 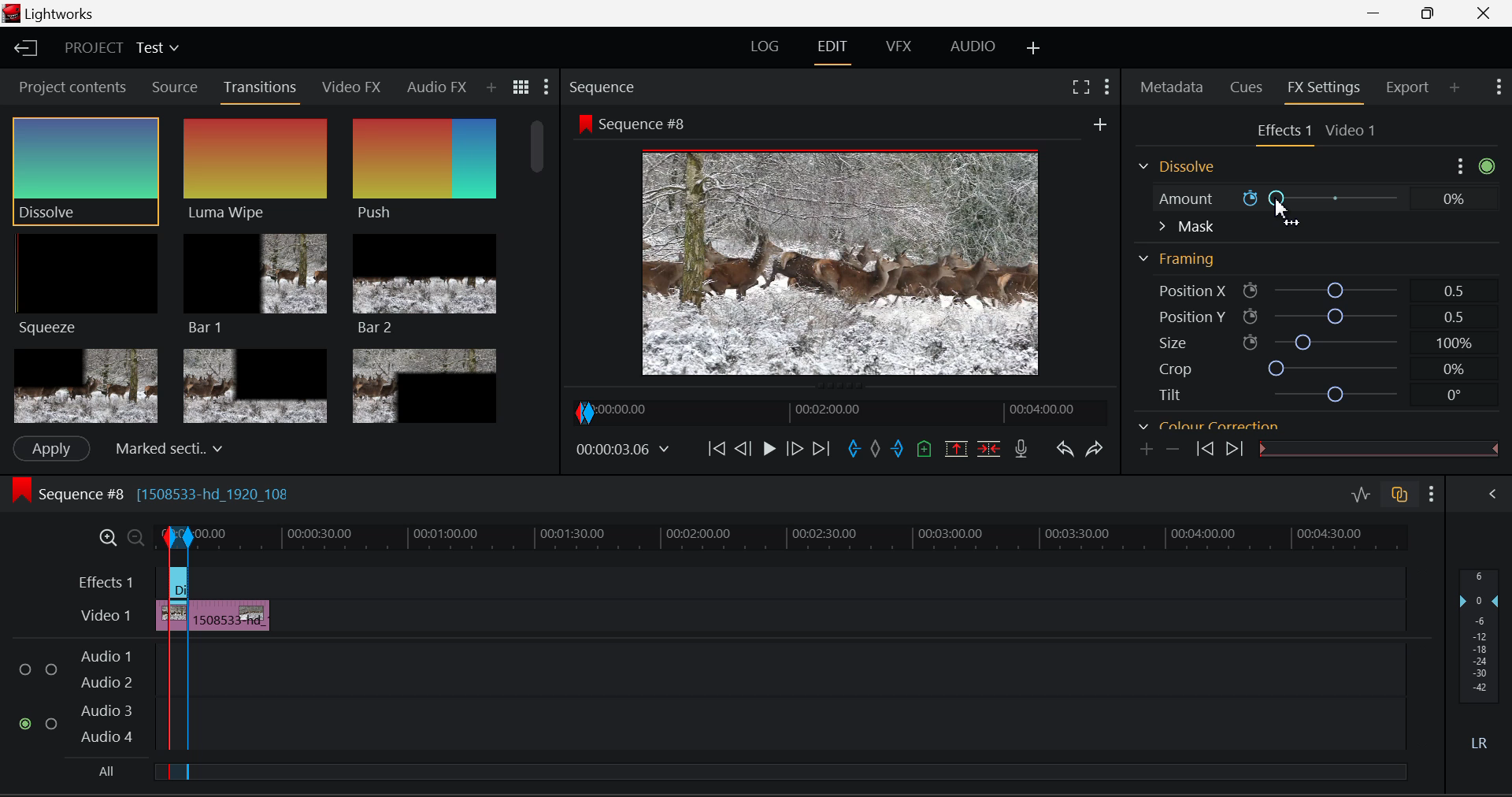 I want to click on Effects 1, so click(x=107, y=581).